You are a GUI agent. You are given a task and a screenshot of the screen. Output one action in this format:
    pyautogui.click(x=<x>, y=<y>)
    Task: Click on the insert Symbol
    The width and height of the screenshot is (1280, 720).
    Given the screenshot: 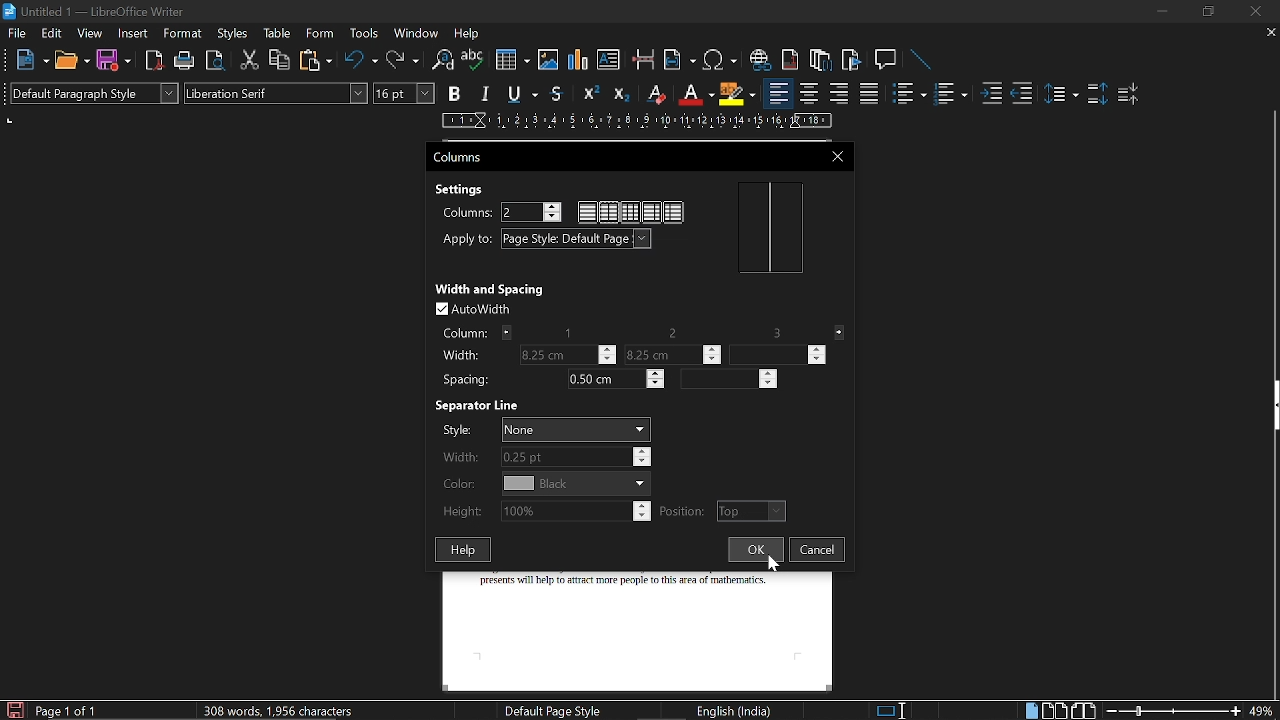 What is the action you would take?
    pyautogui.click(x=720, y=61)
    